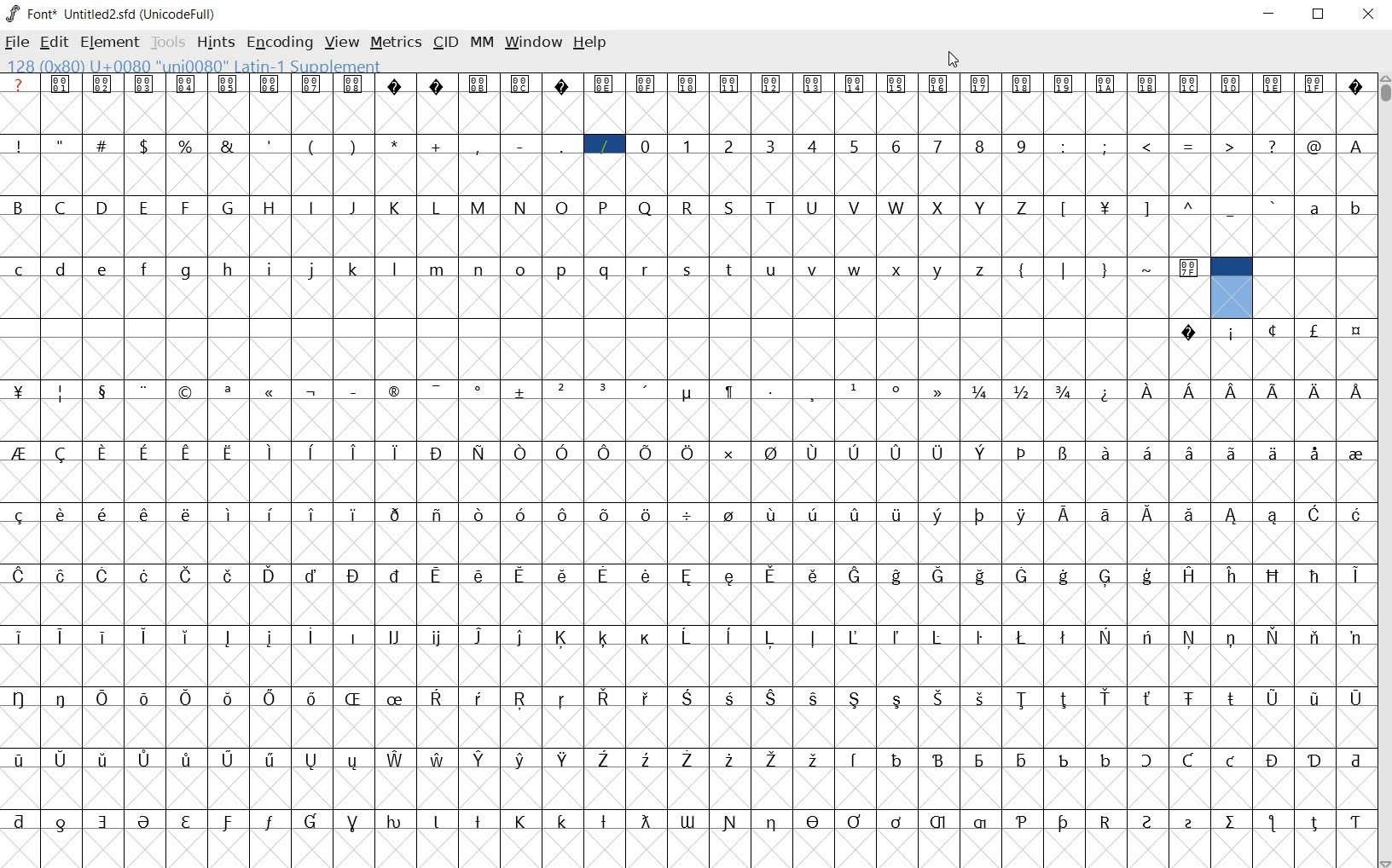  I want to click on Symbol, so click(188, 514).